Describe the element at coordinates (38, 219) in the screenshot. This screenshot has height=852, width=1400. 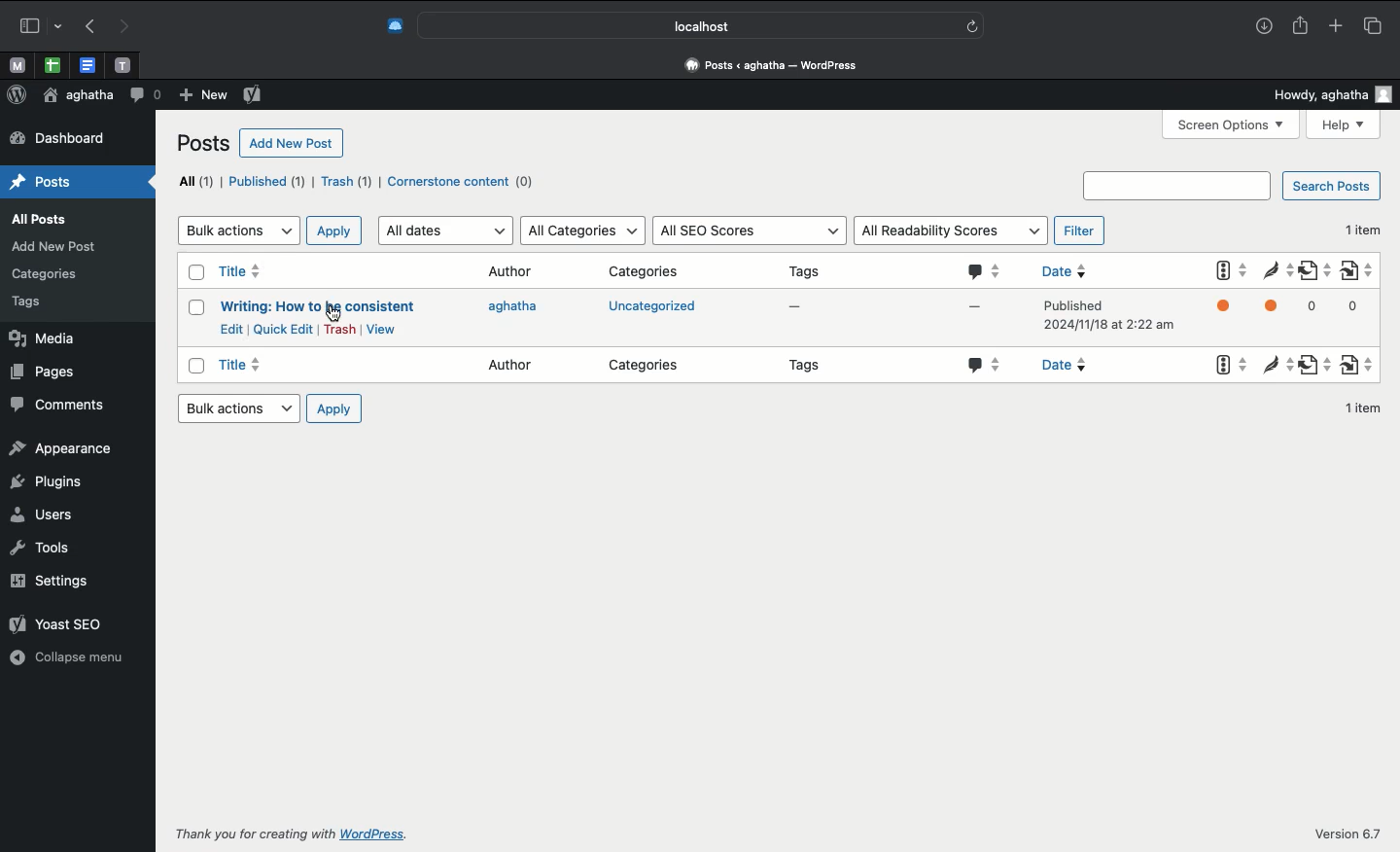
I see `all posts` at that location.